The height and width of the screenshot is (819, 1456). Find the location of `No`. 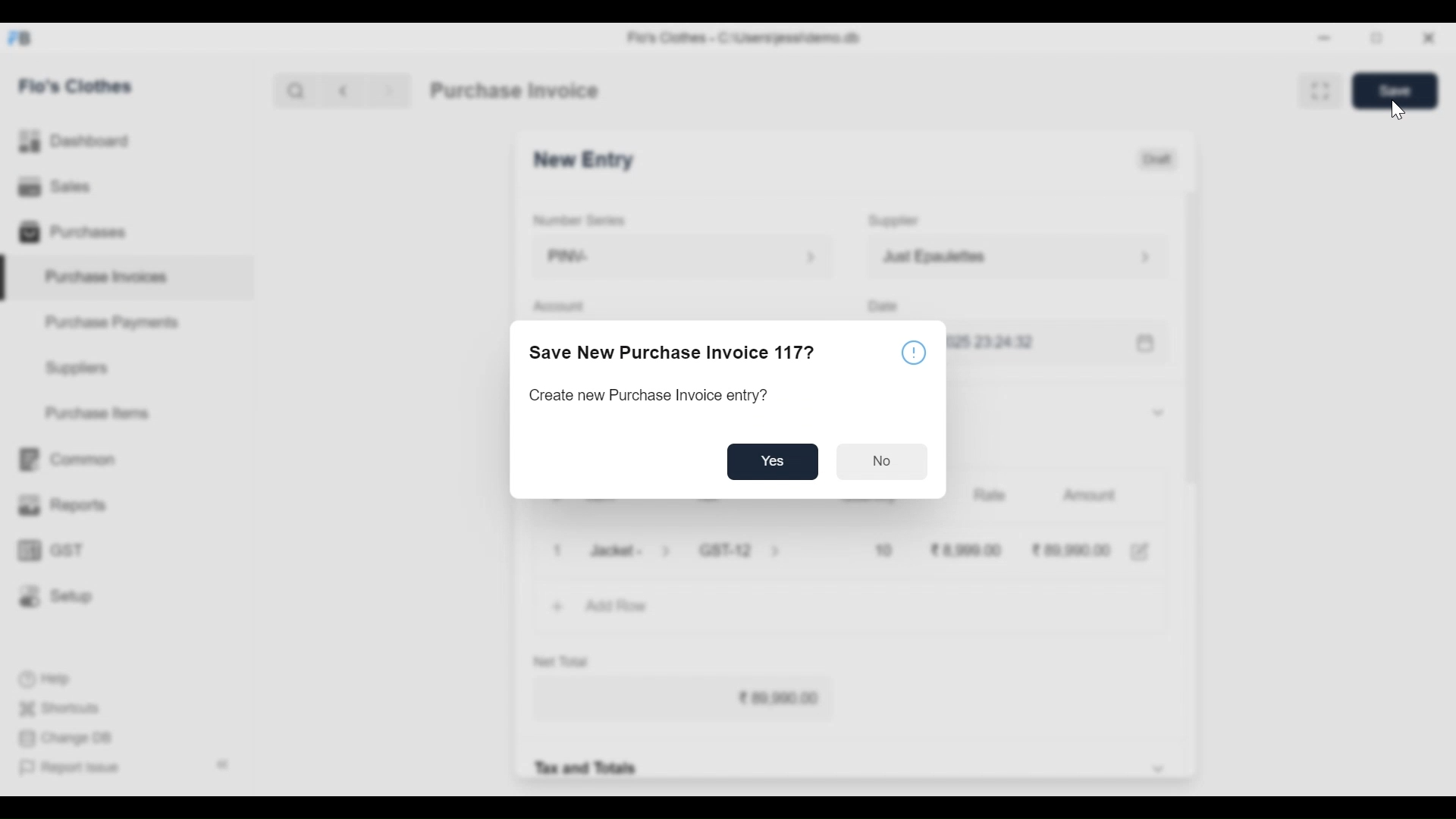

No is located at coordinates (883, 460).